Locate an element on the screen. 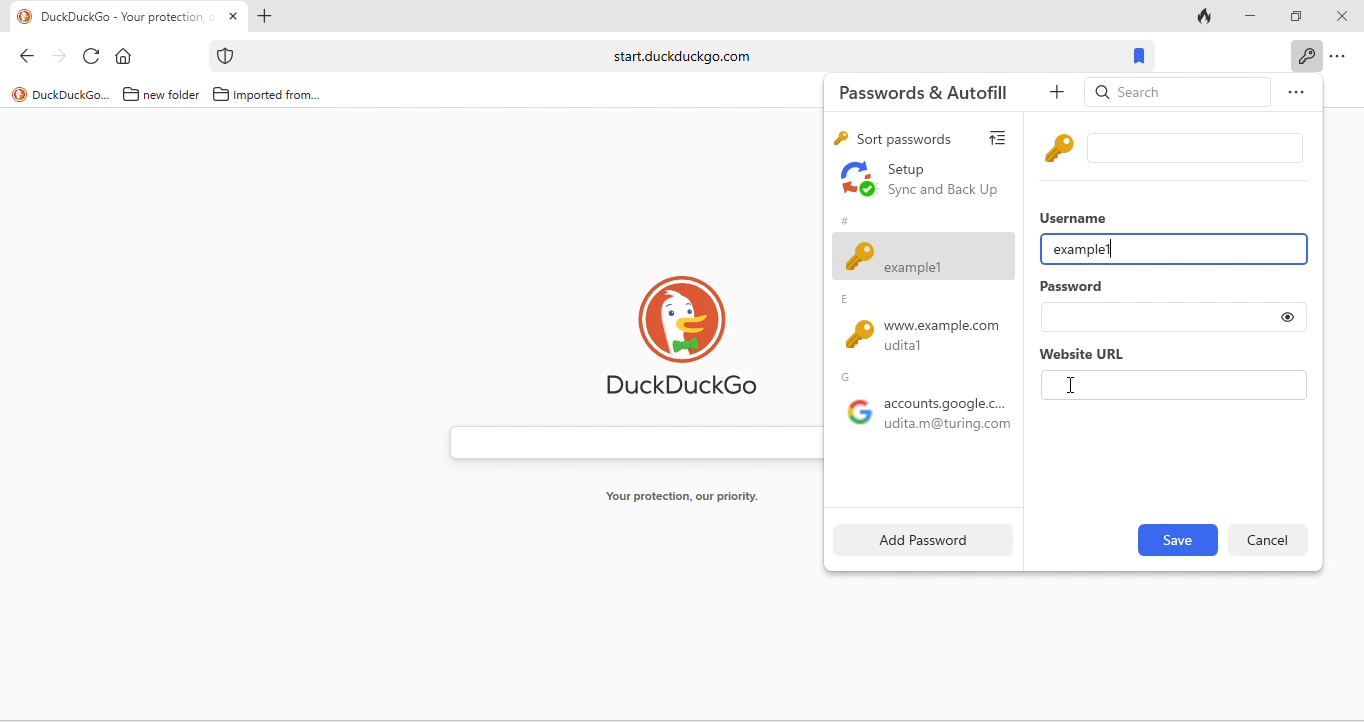 The image size is (1364, 722). maximize is located at coordinates (1292, 14).